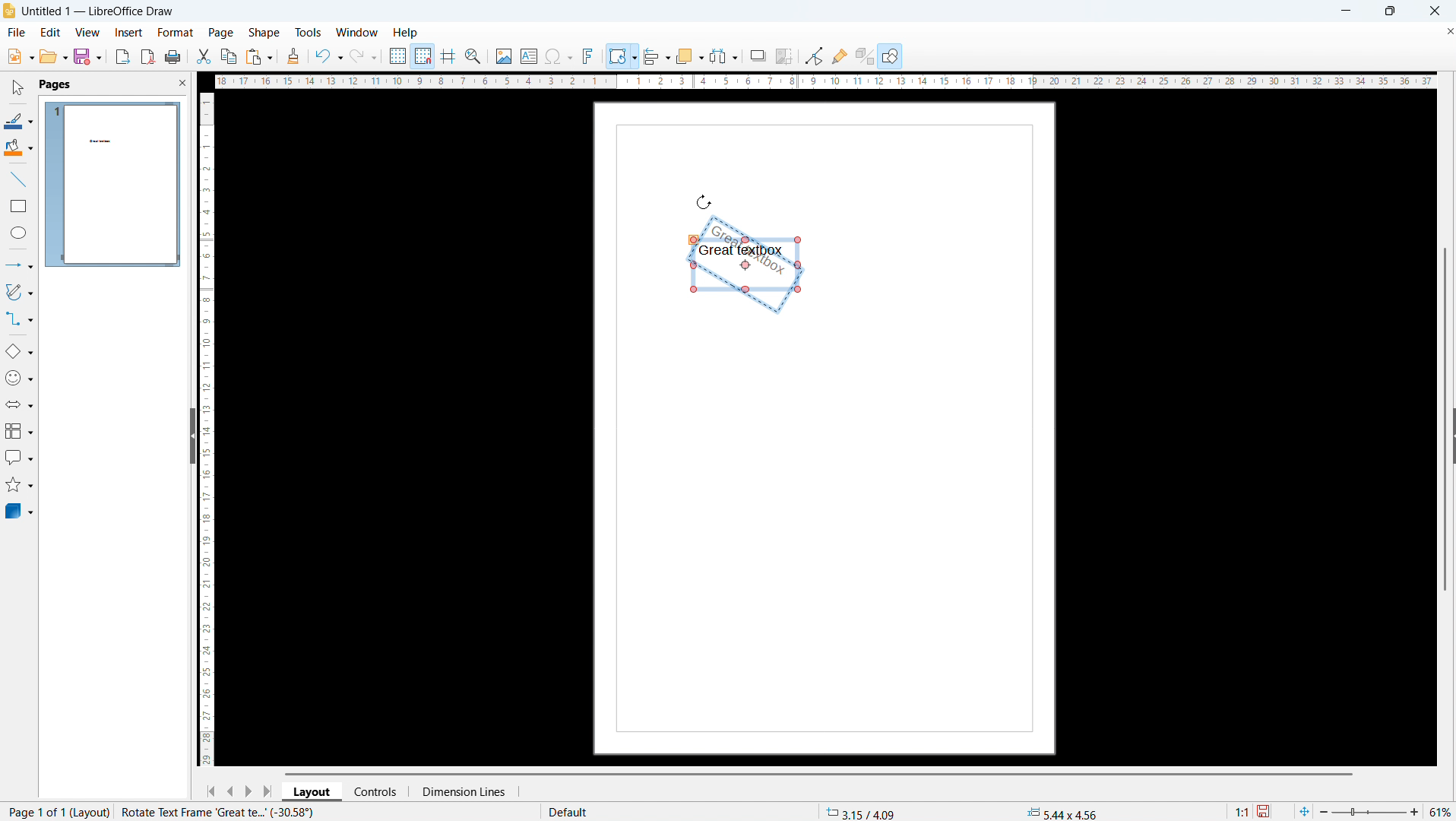  I want to click on next page, so click(249, 791).